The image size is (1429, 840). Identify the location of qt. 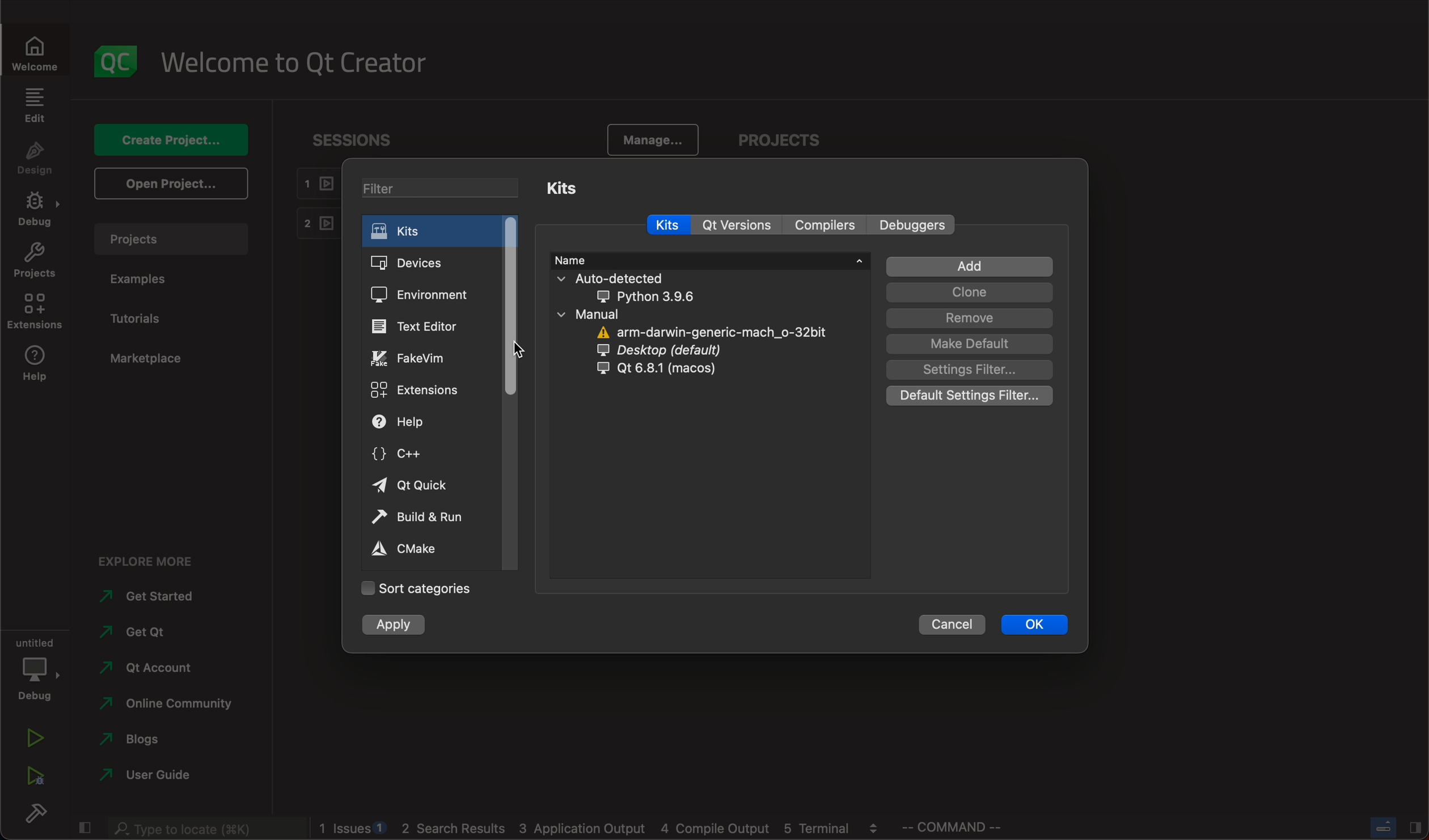
(418, 486).